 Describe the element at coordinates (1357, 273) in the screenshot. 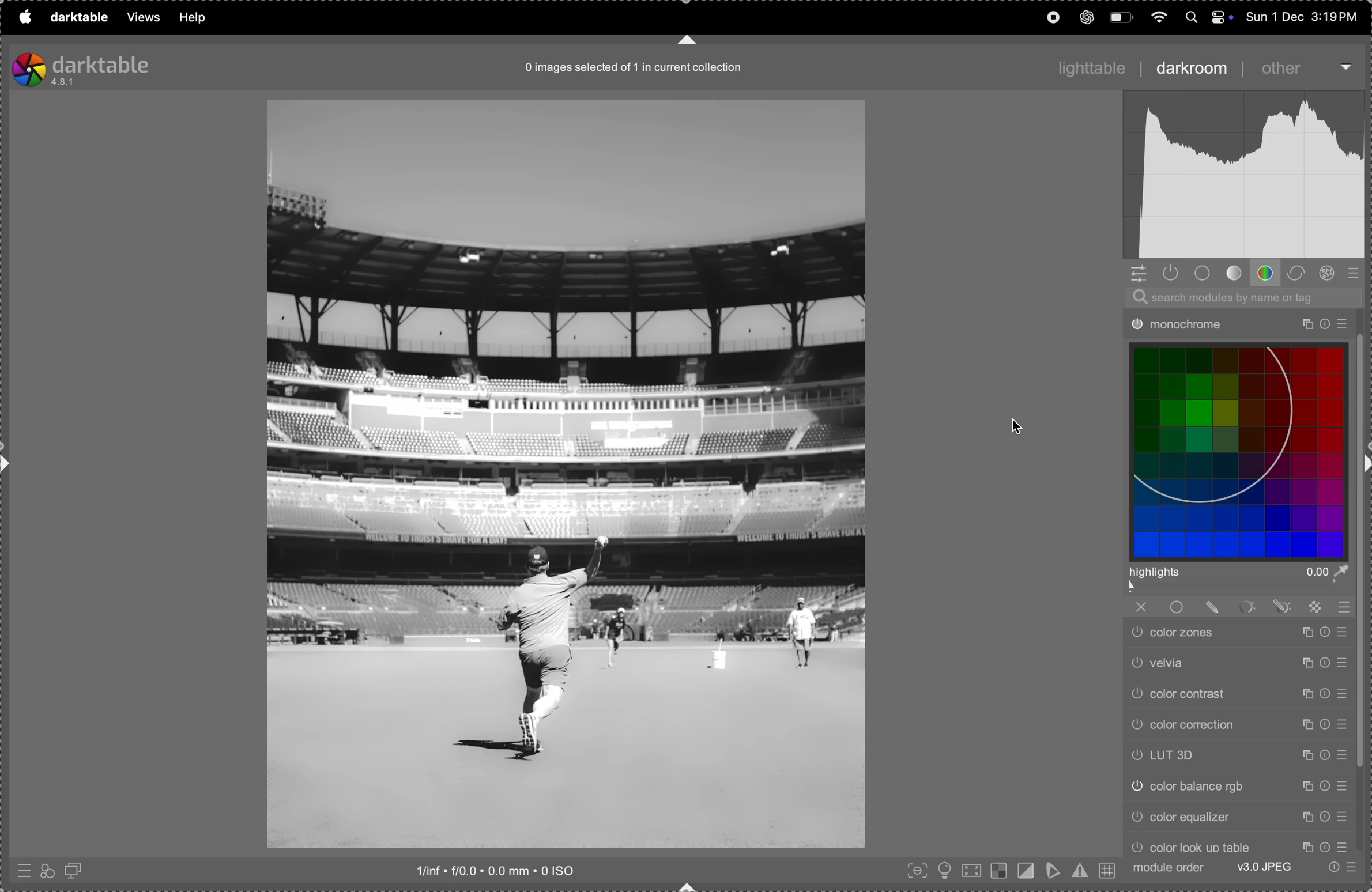

I see `presets` at that location.